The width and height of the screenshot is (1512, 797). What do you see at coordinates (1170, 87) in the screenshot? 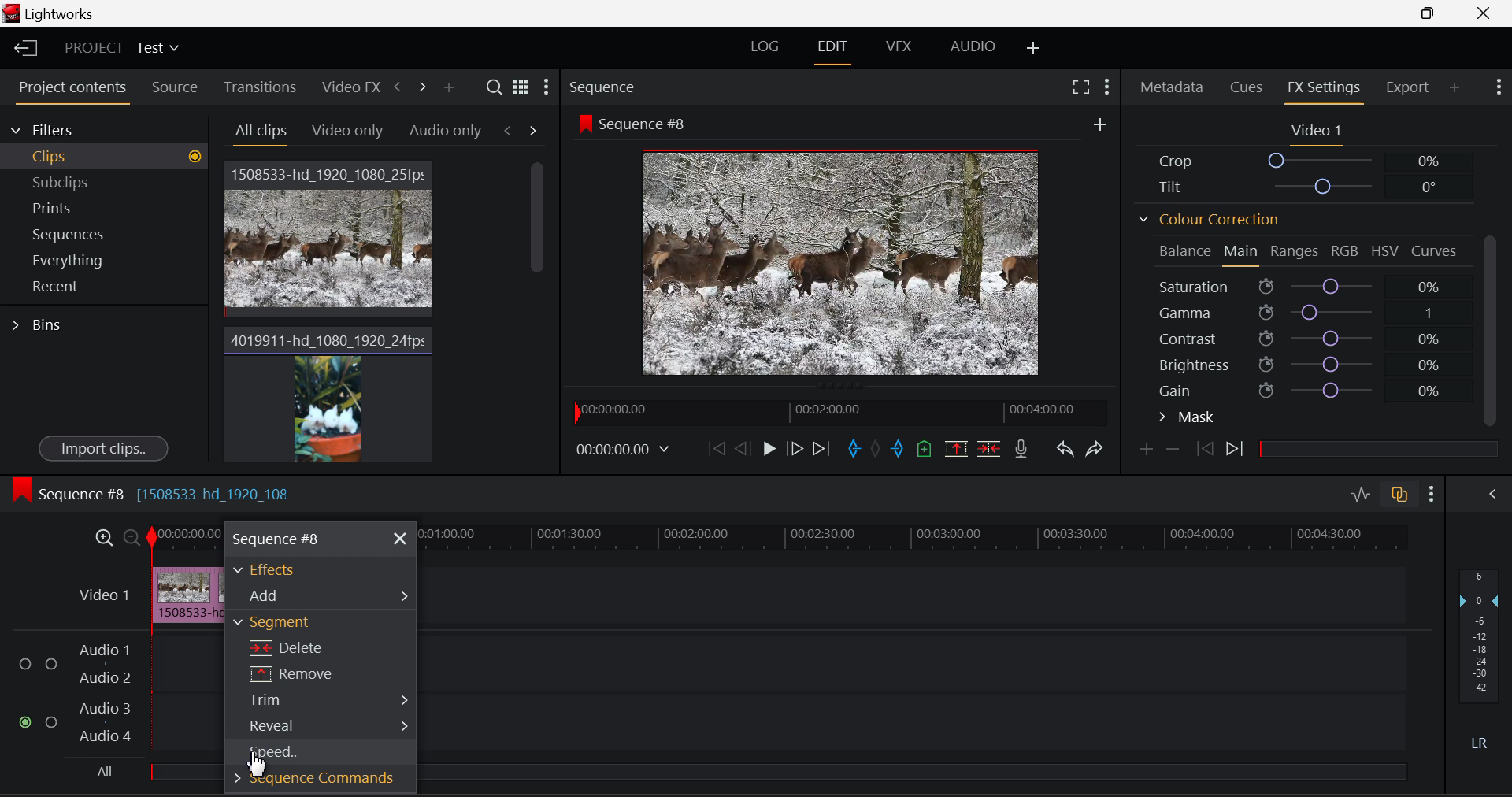
I see `Metadata` at bounding box center [1170, 87].